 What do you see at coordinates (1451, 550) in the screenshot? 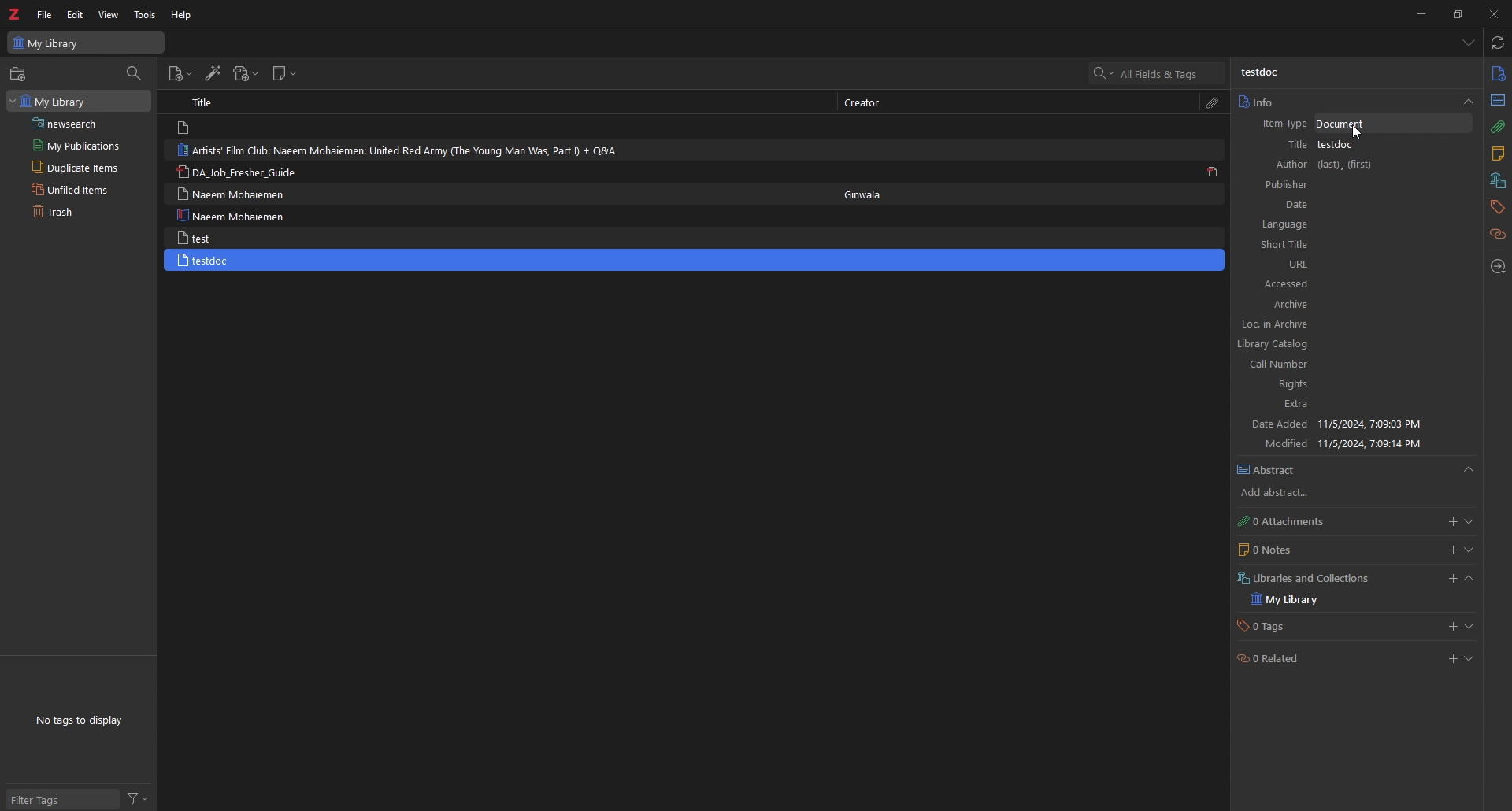
I see `add notes` at bounding box center [1451, 550].